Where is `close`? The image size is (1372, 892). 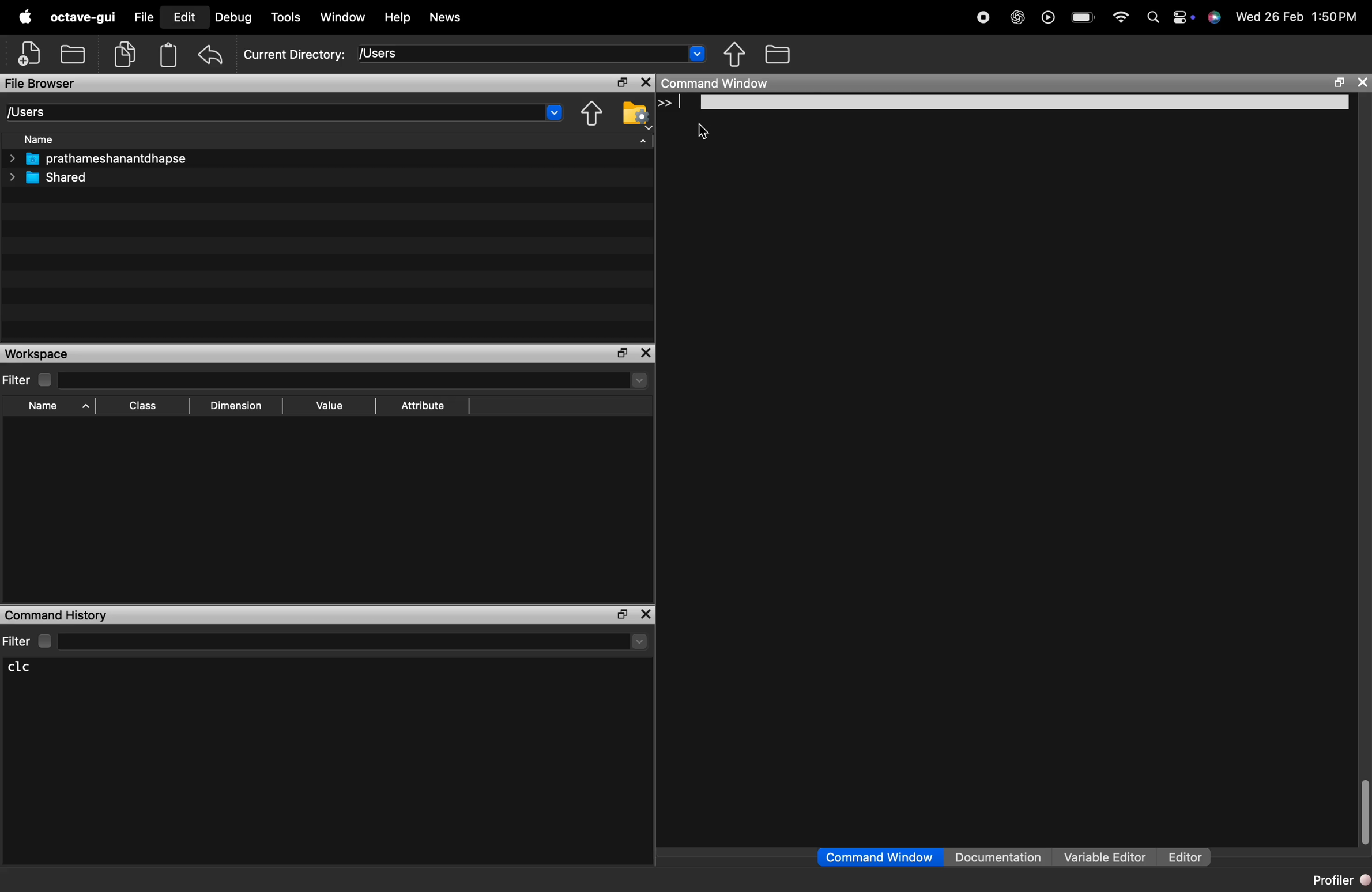 close is located at coordinates (646, 83).